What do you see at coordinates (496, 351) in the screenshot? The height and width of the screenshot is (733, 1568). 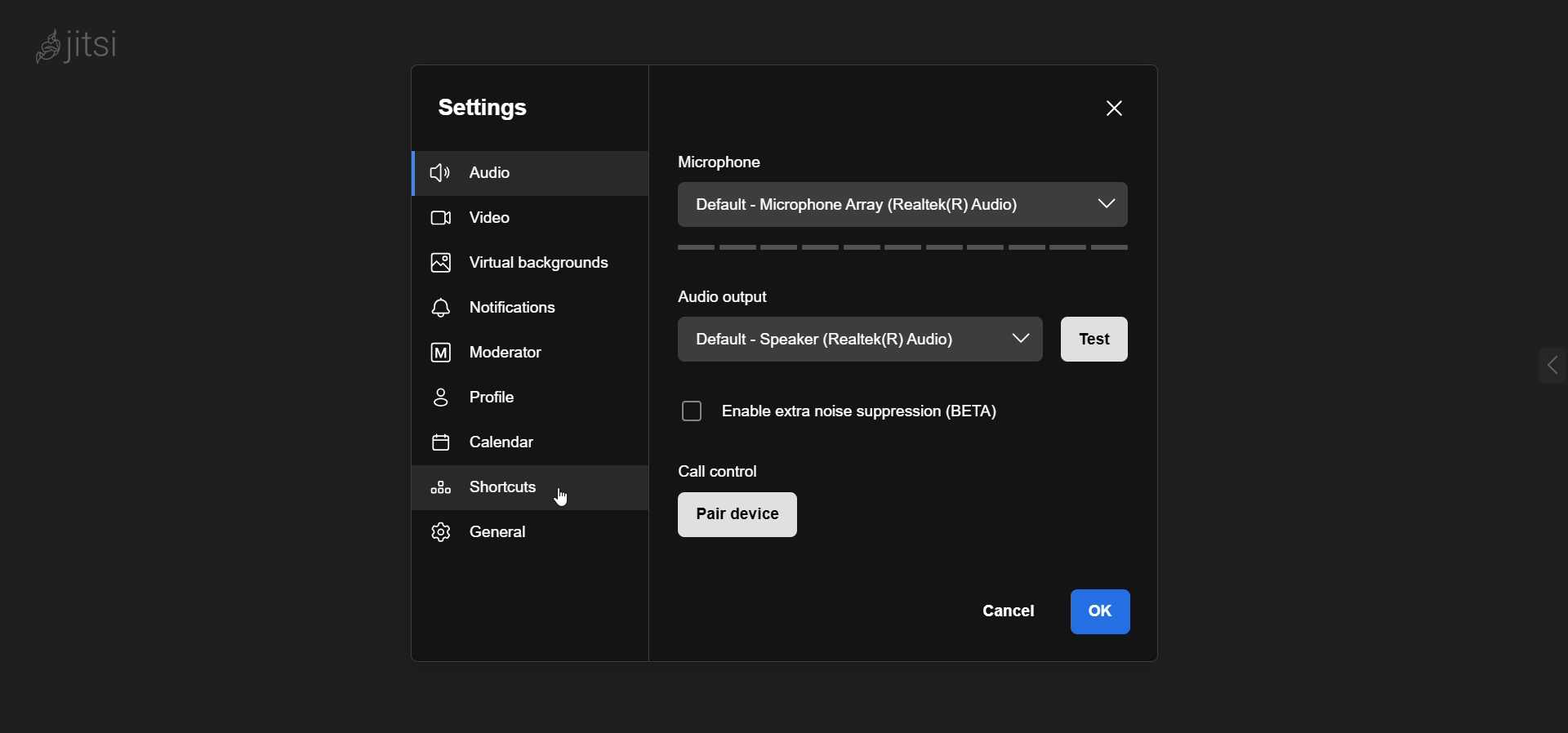 I see `moderator` at bounding box center [496, 351].